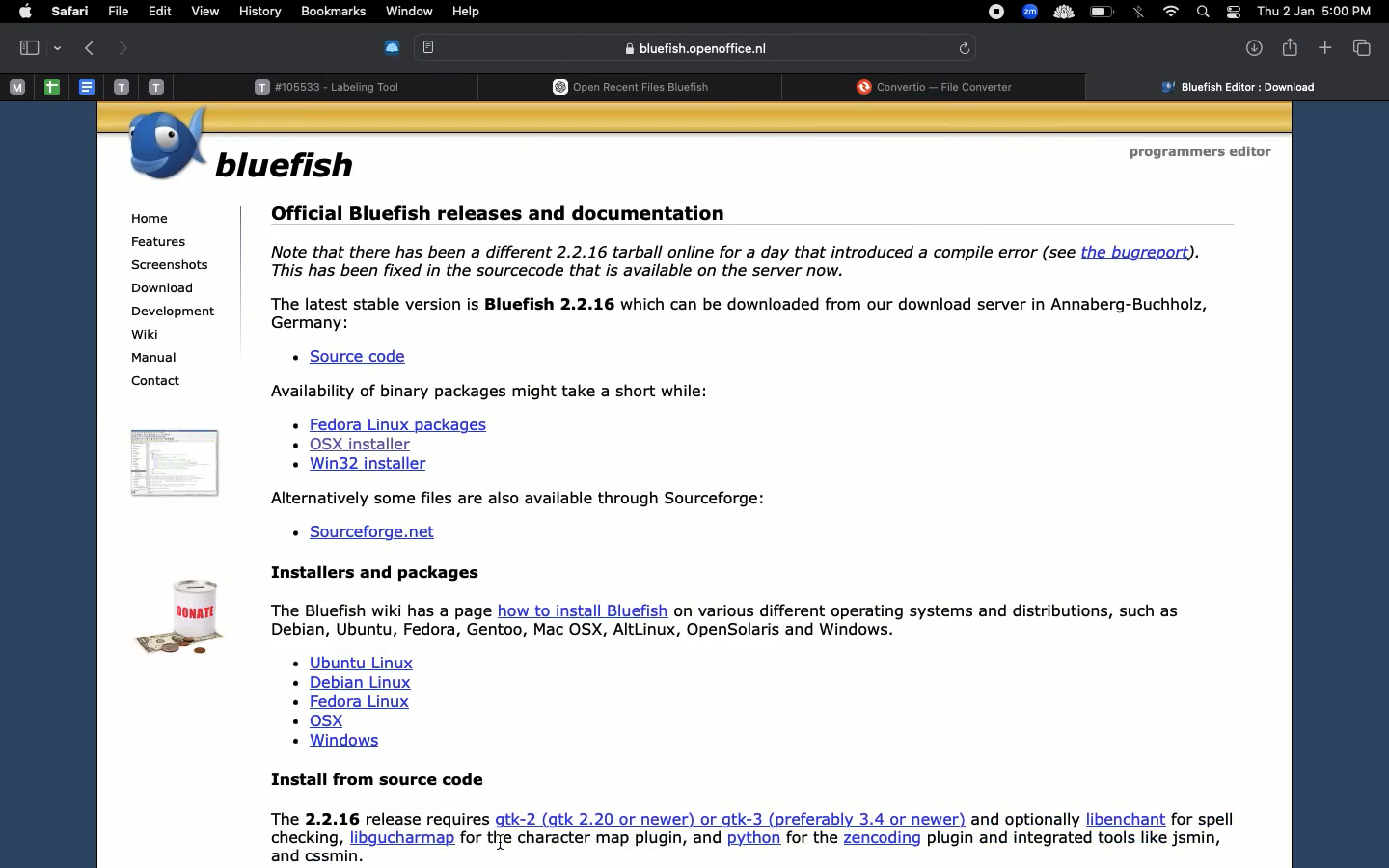 This screenshot has width=1389, height=868. What do you see at coordinates (1172, 12) in the screenshot?
I see `internet` at bounding box center [1172, 12].